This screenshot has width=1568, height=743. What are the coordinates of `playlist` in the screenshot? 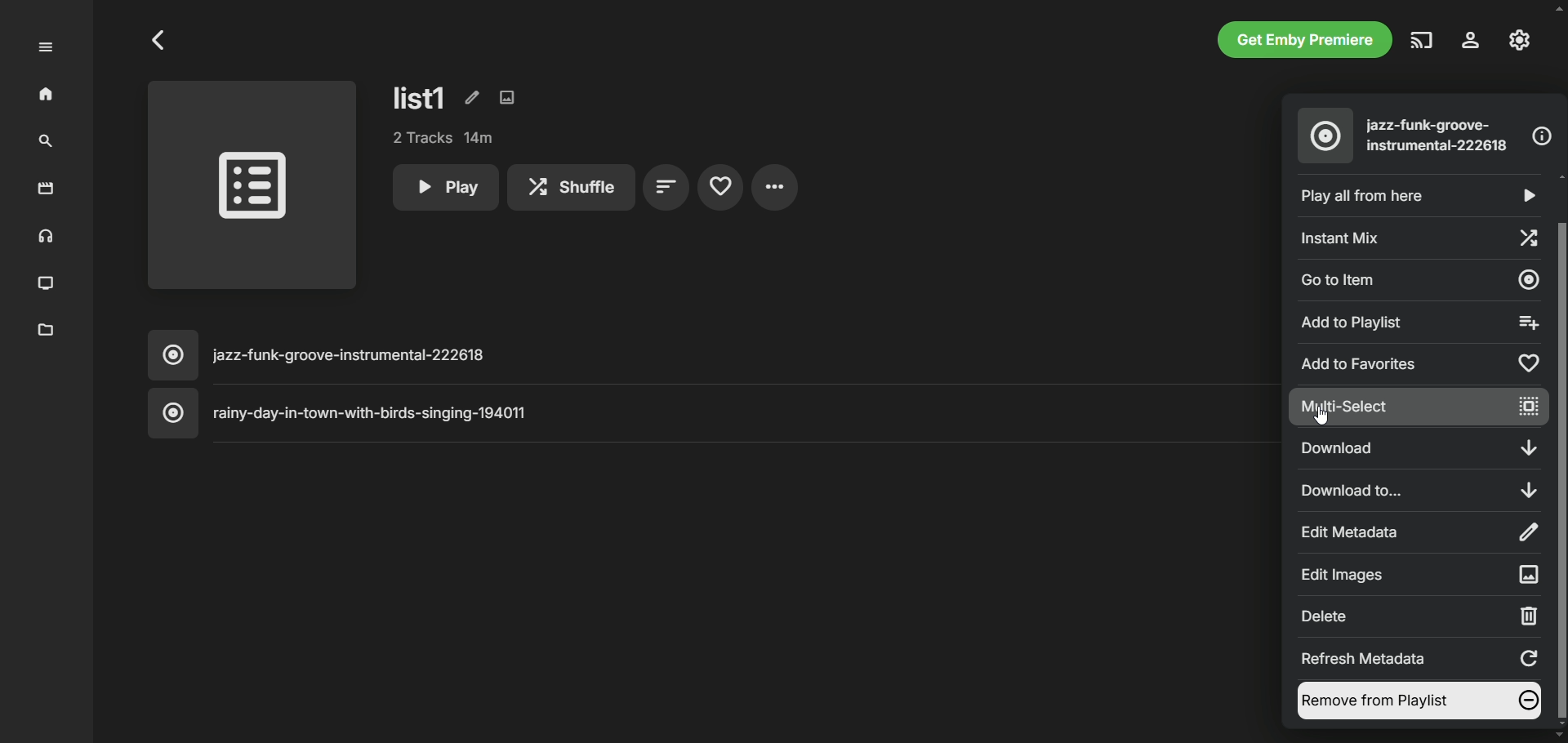 It's located at (253, 189).